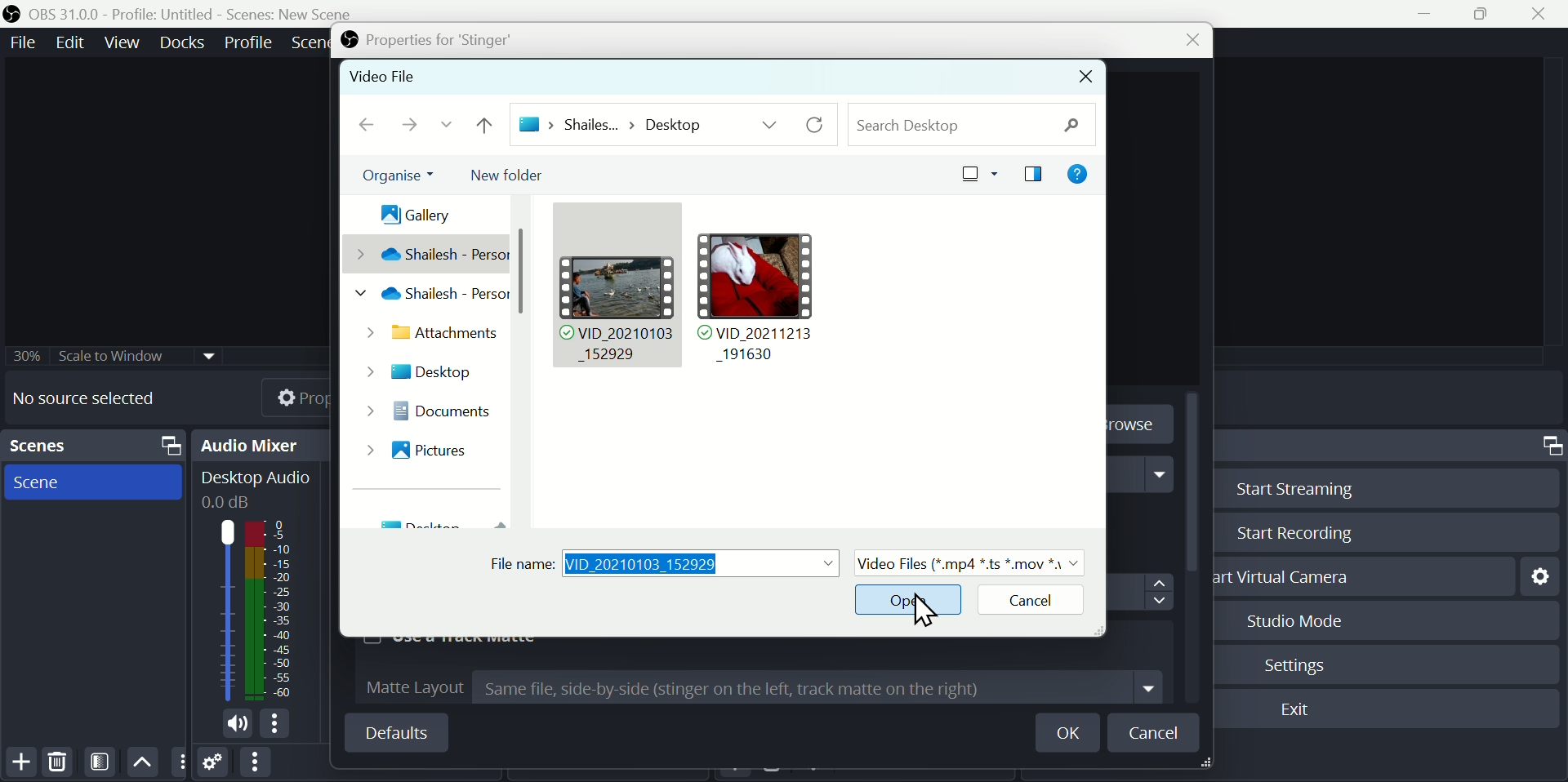  Describe the element at coordinates (185, 13) in the screenshot. I see `OBS 31.0.0 - Profile: untitled scenes: new scene` at that location.